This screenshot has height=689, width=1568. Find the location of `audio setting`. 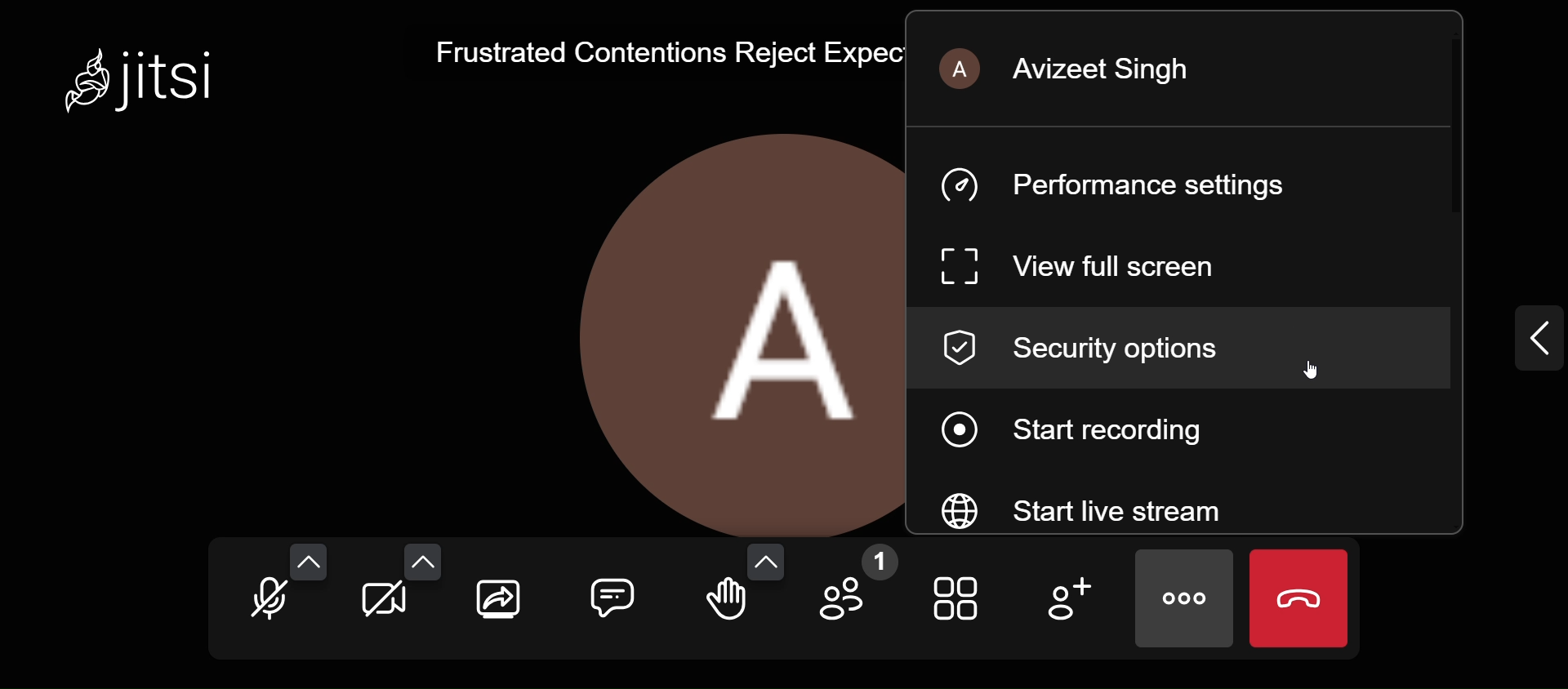

audio setting is located at coordinates (314, 558).